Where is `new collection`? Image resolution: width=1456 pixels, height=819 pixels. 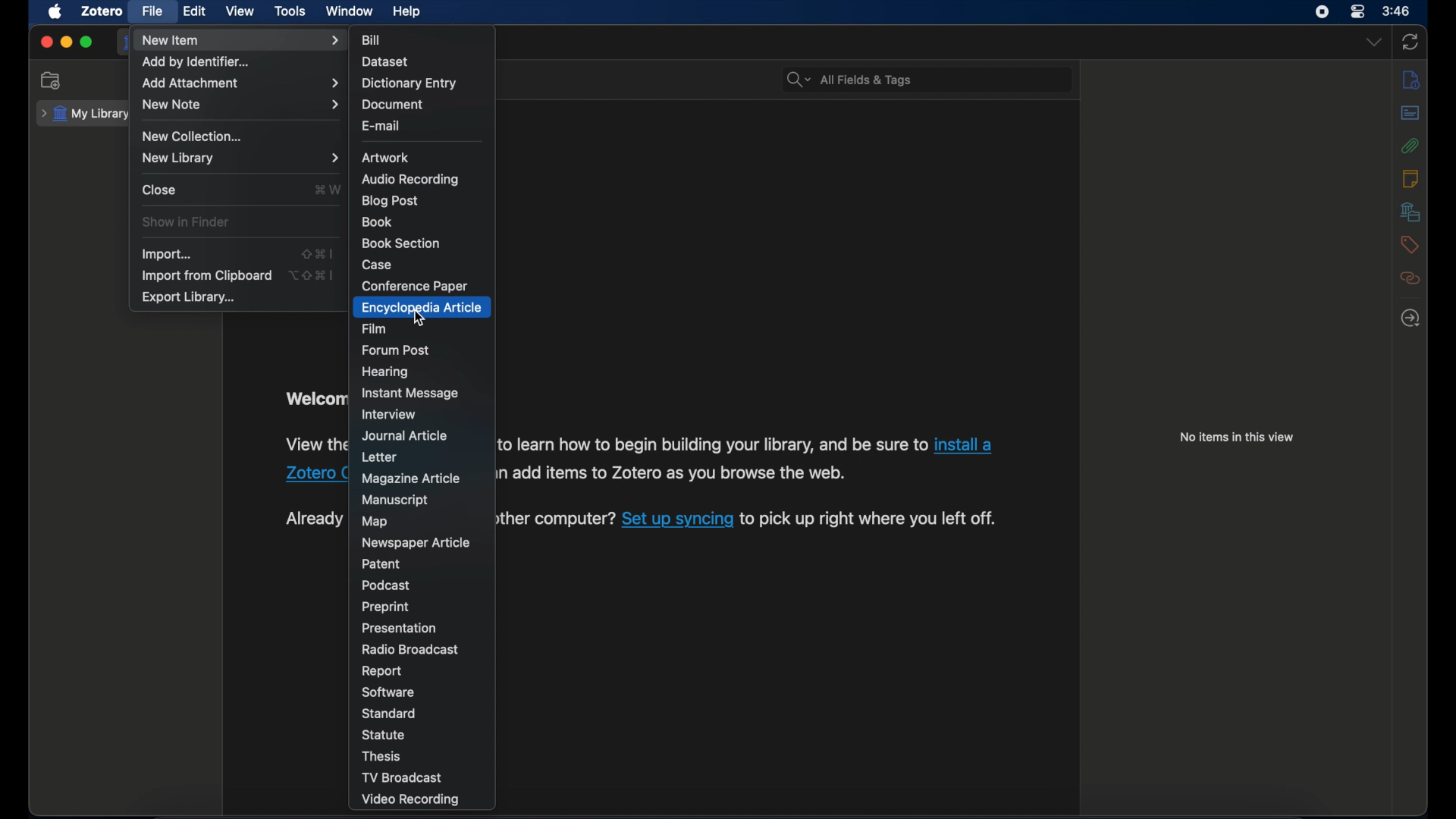
new collection is located at coordinates (195, 136).